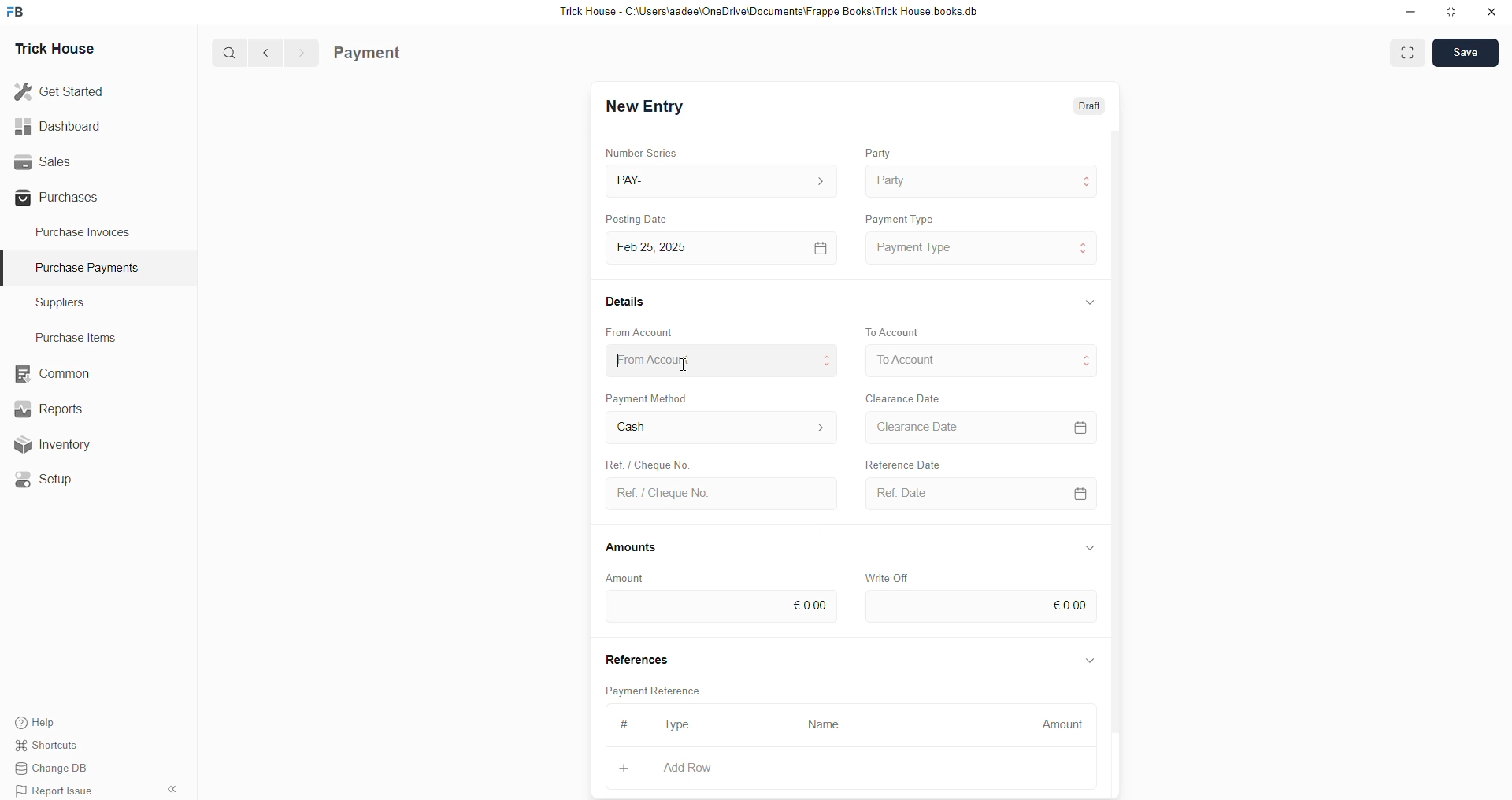 This screenshot has width=1512, height=800. Describe the element at coordinates (1070, 603) in the screenshot. I see `€0.00` at that location.